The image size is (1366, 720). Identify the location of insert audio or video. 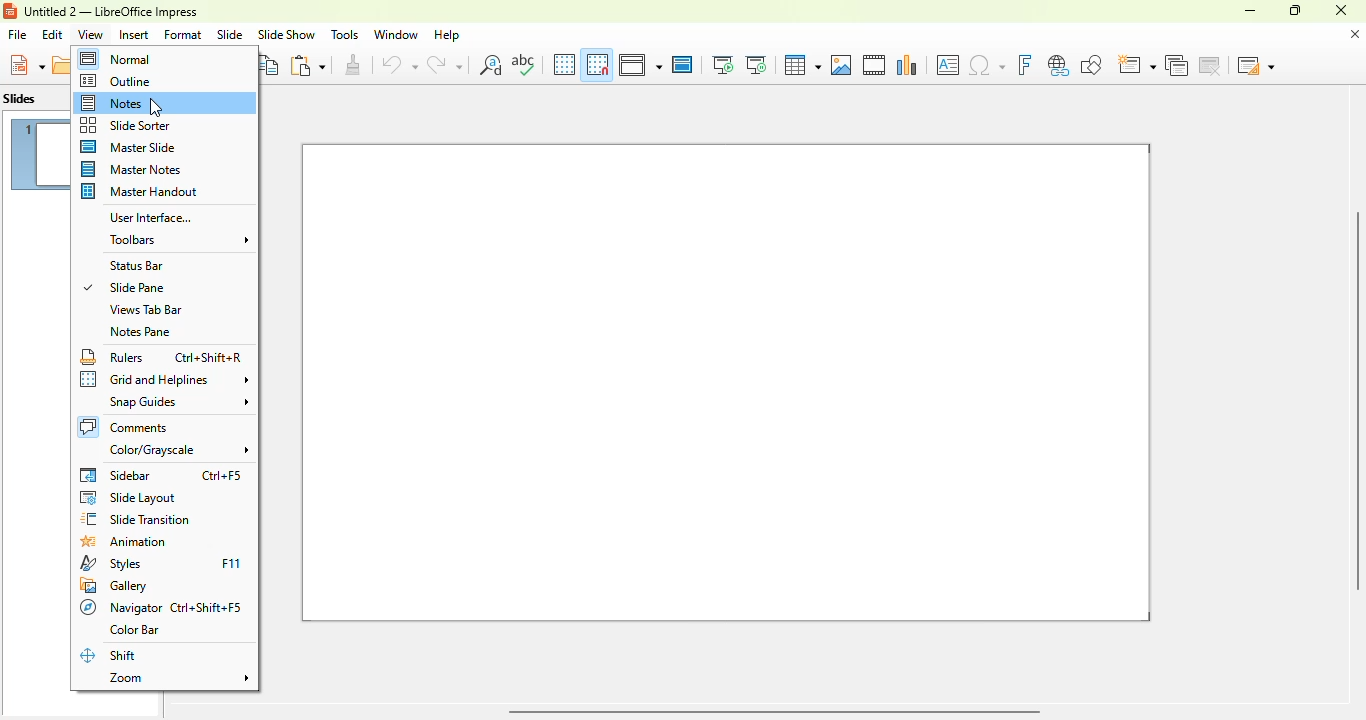
(875, 64).